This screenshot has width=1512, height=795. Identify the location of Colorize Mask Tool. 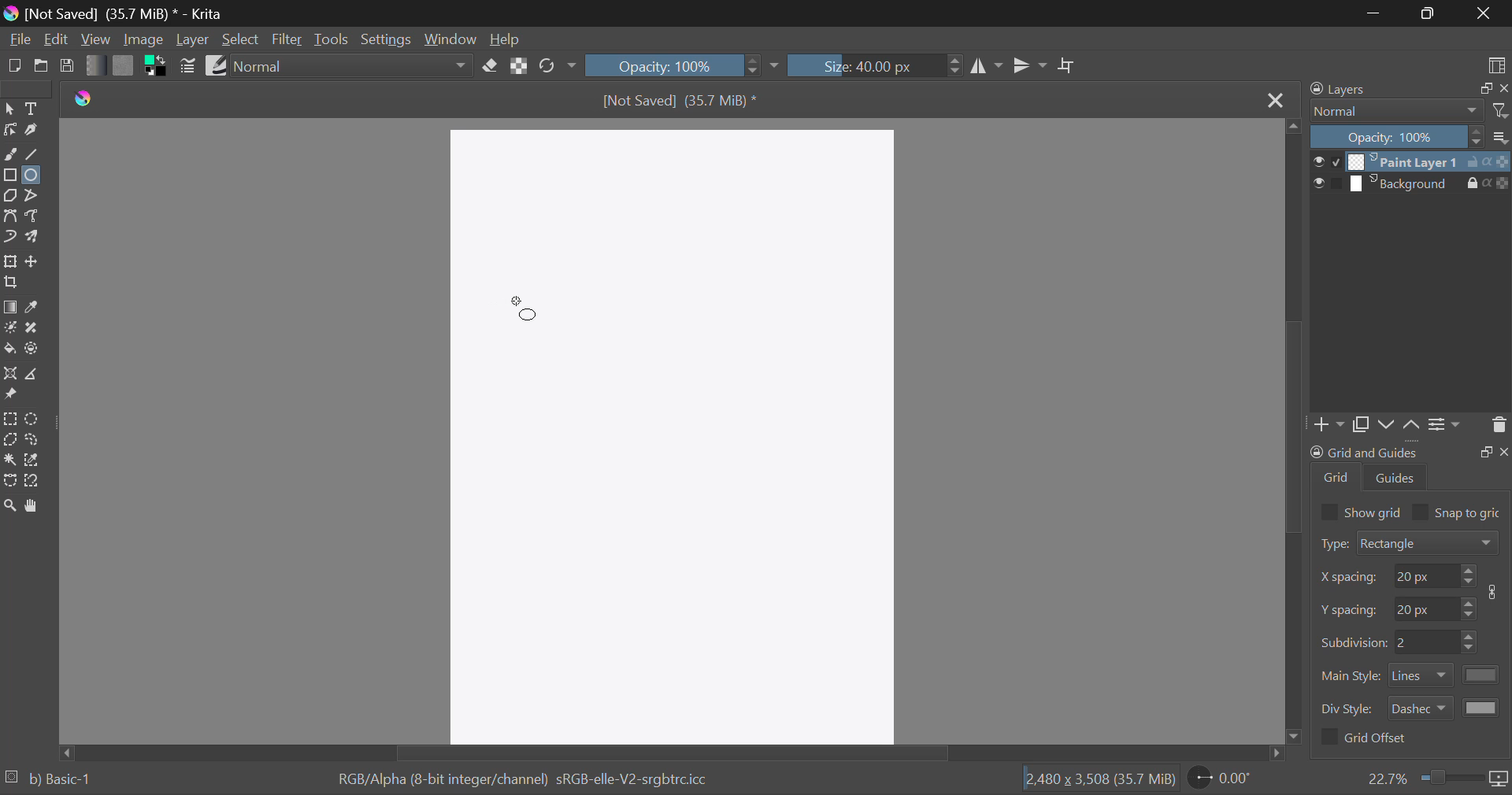
(10, 328).